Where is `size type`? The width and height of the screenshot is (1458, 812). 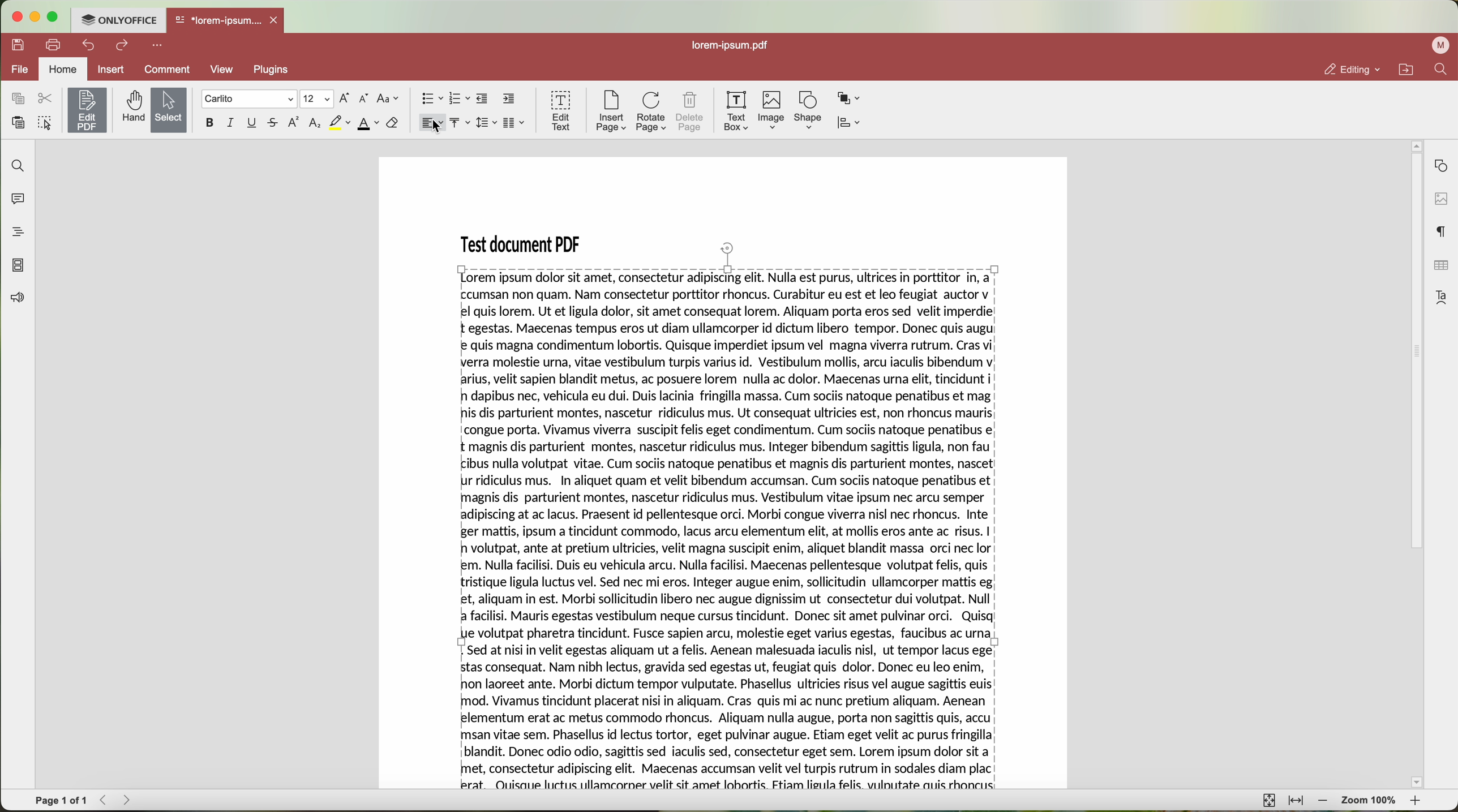
size type is located at coordinates (316, 98).